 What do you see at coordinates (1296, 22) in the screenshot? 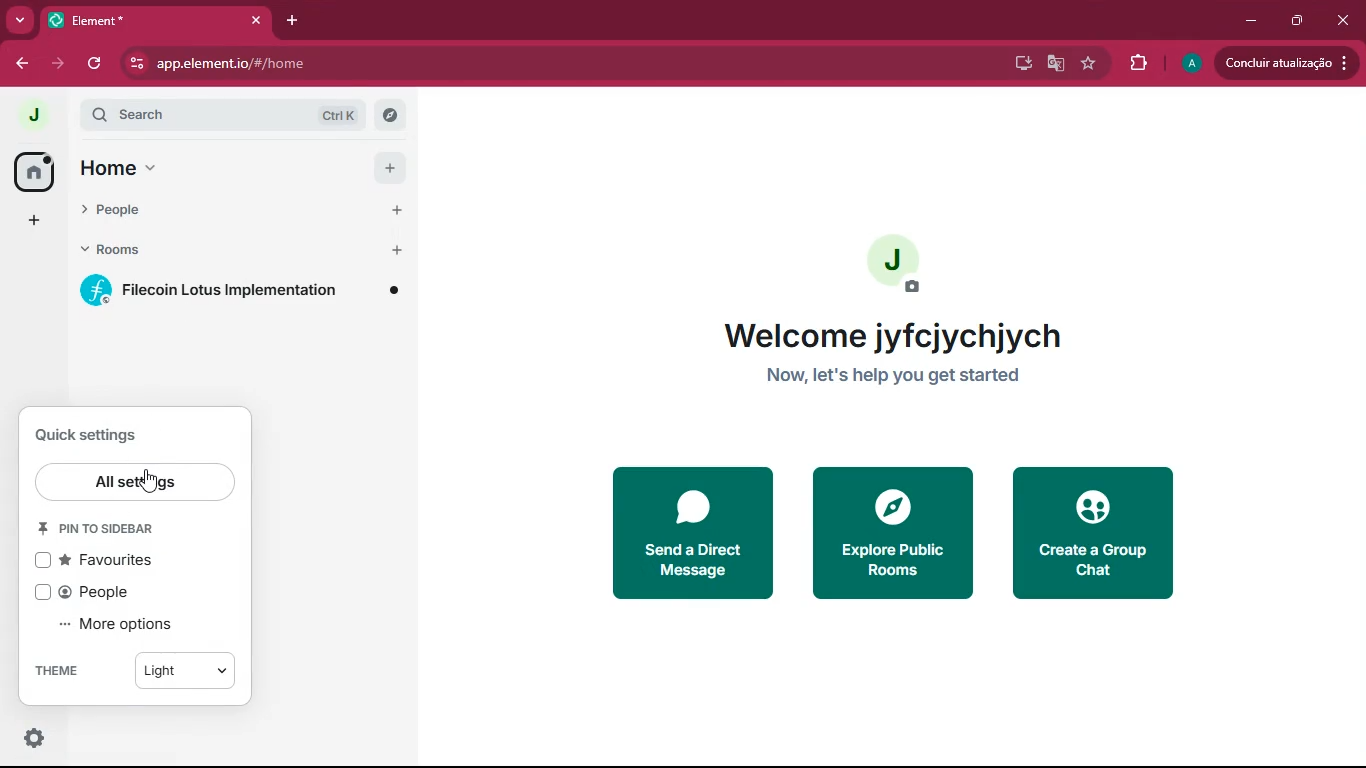
I see `maximize` at bounding box center [1296, 22].